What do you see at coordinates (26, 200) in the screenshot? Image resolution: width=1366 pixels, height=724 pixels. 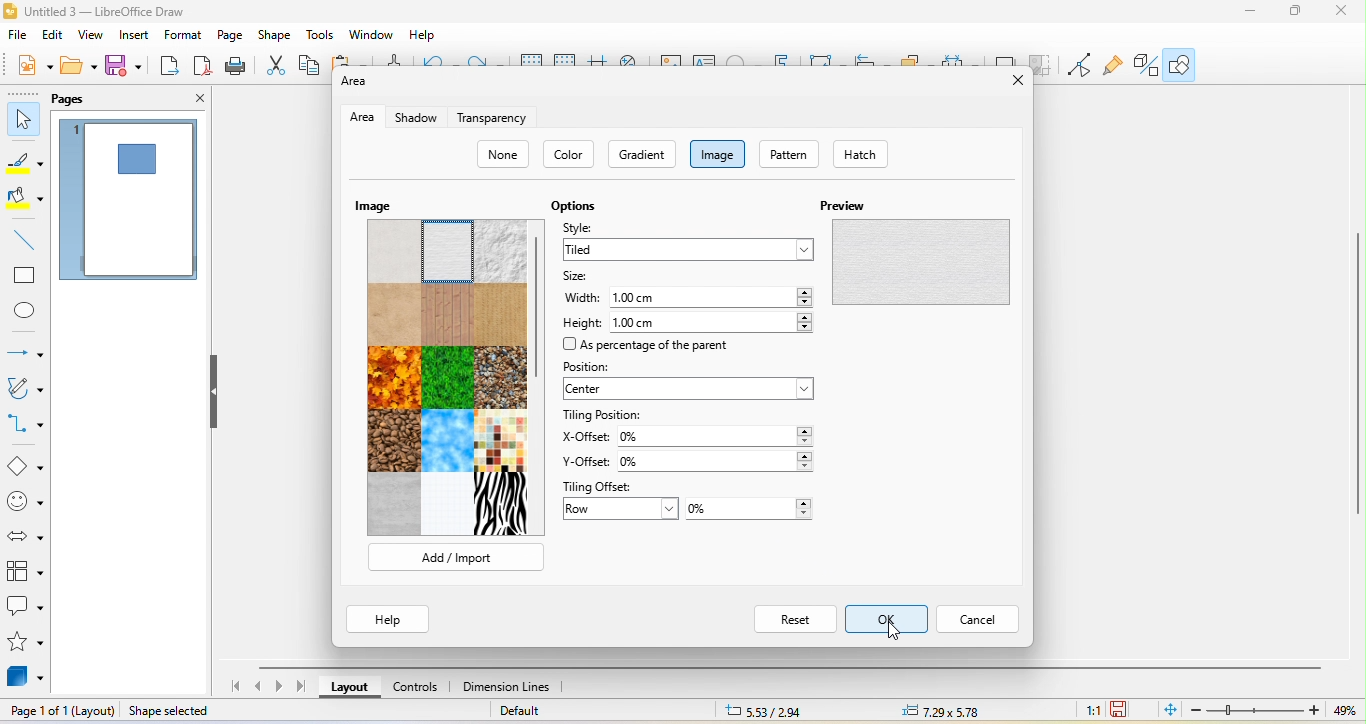 I see `fill color` at bounding box center [26, 200].